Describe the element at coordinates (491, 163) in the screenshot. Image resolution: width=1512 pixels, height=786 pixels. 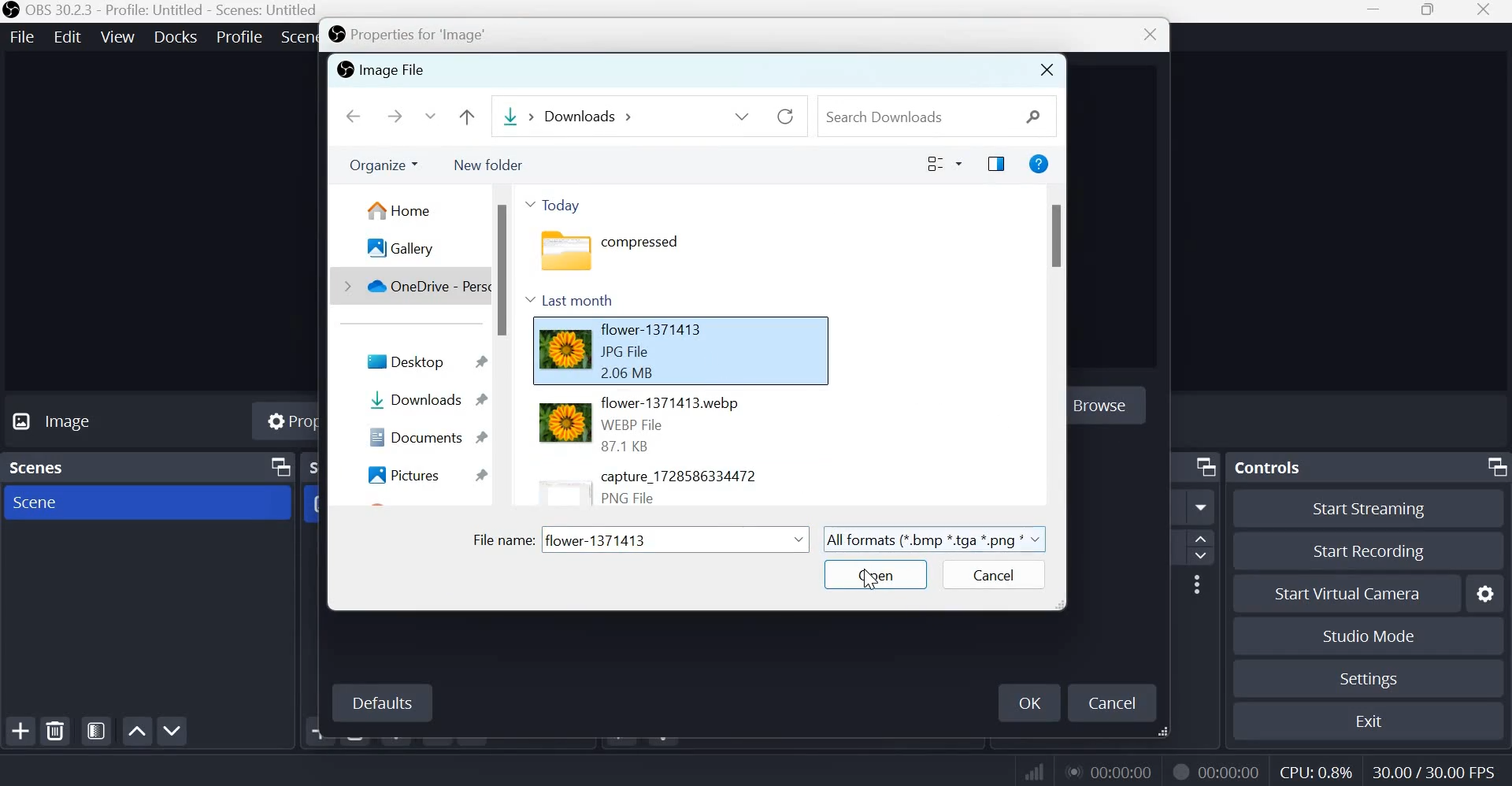
I see `New folder` at that location.